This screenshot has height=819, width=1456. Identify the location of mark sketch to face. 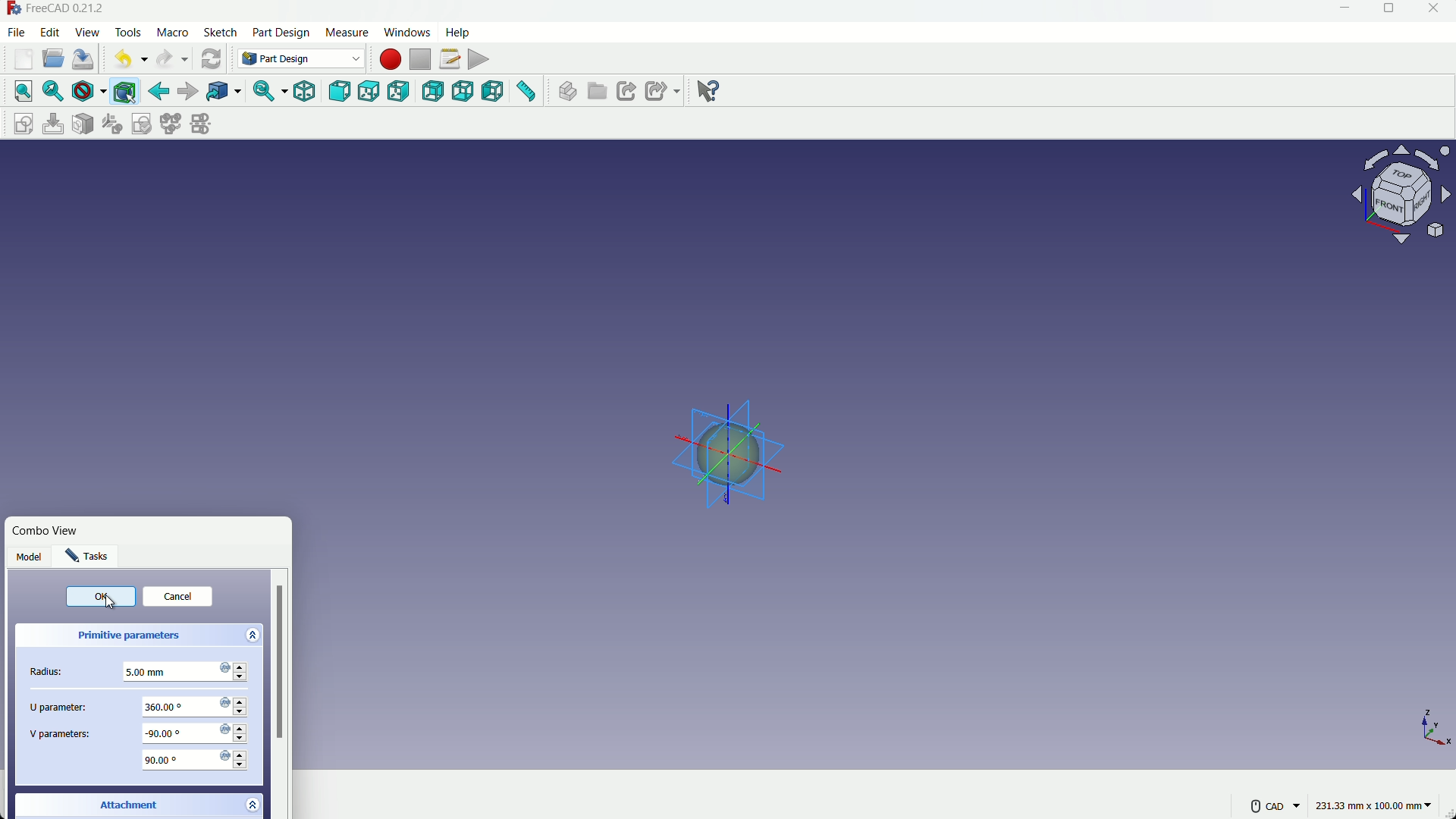
(83, 124).